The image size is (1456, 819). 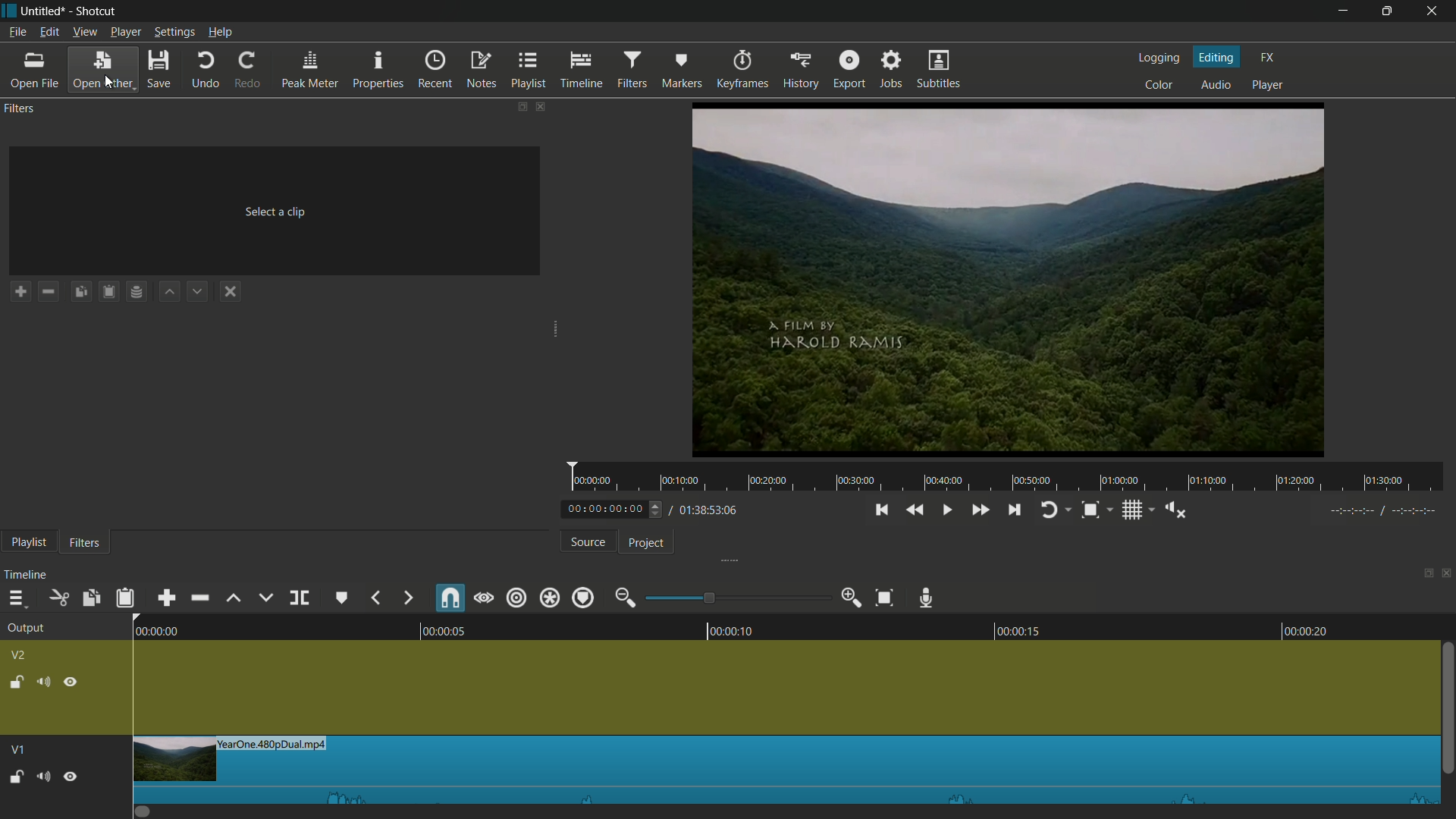 What do you see at coordinates (1048, 510) in the screenshot?
I see `toggle player looping` at bounding box center [1048, 510].